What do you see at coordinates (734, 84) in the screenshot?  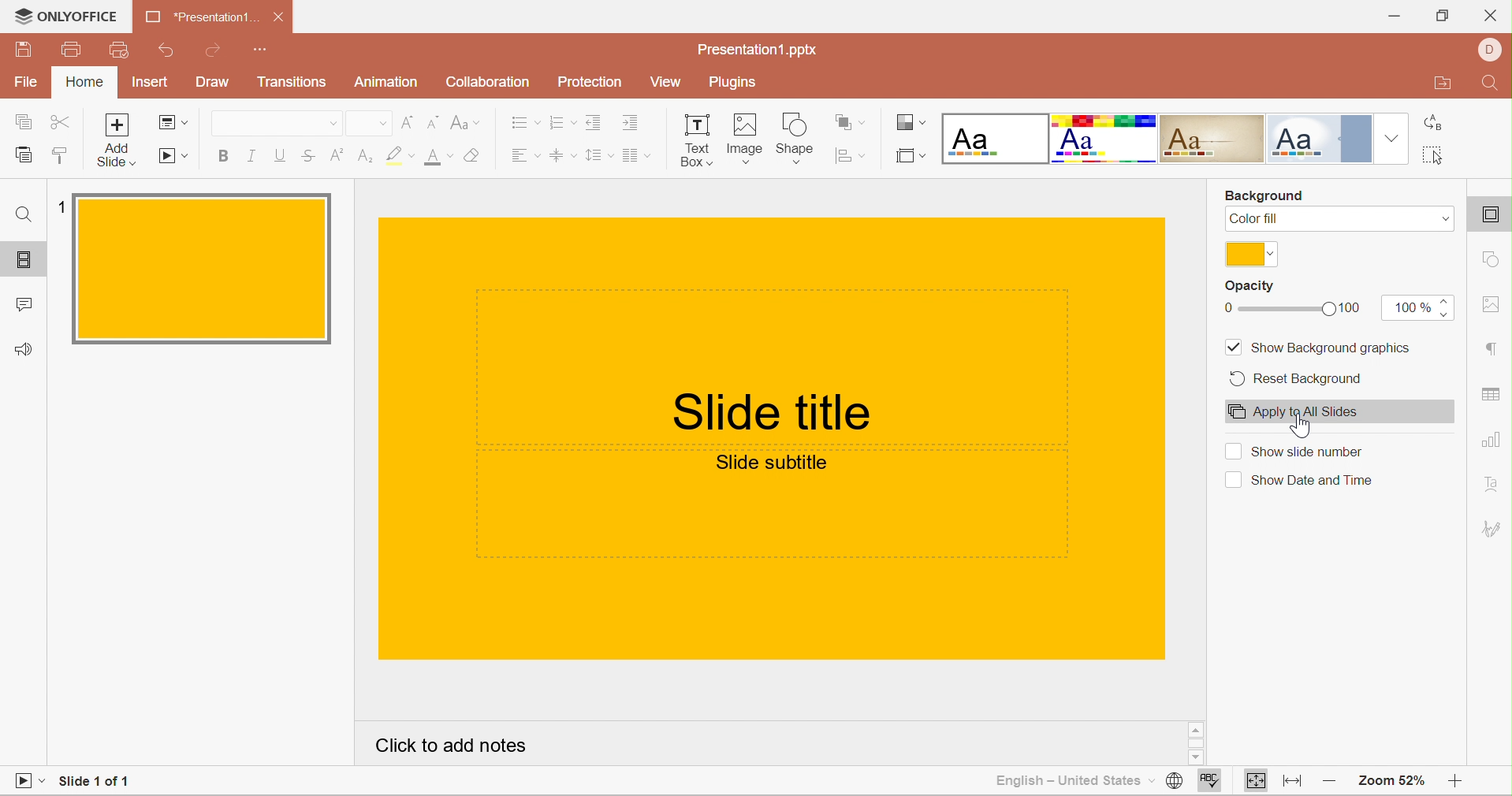 I see `Plugins` at bounding box center [734, 84].